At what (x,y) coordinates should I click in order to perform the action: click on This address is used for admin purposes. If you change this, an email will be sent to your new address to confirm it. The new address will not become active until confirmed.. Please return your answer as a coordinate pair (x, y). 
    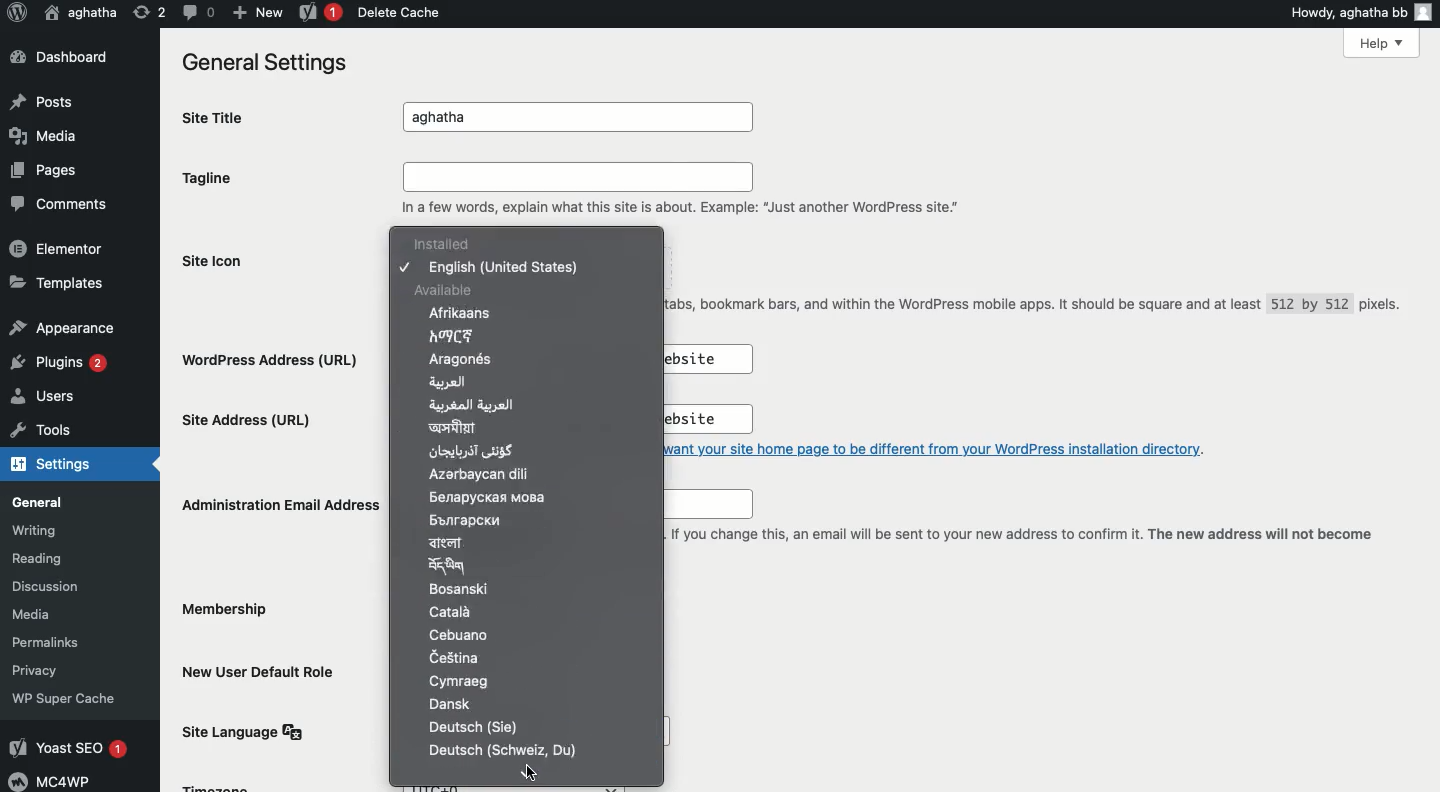
    Looking at the image, I should click on (1022, 545).